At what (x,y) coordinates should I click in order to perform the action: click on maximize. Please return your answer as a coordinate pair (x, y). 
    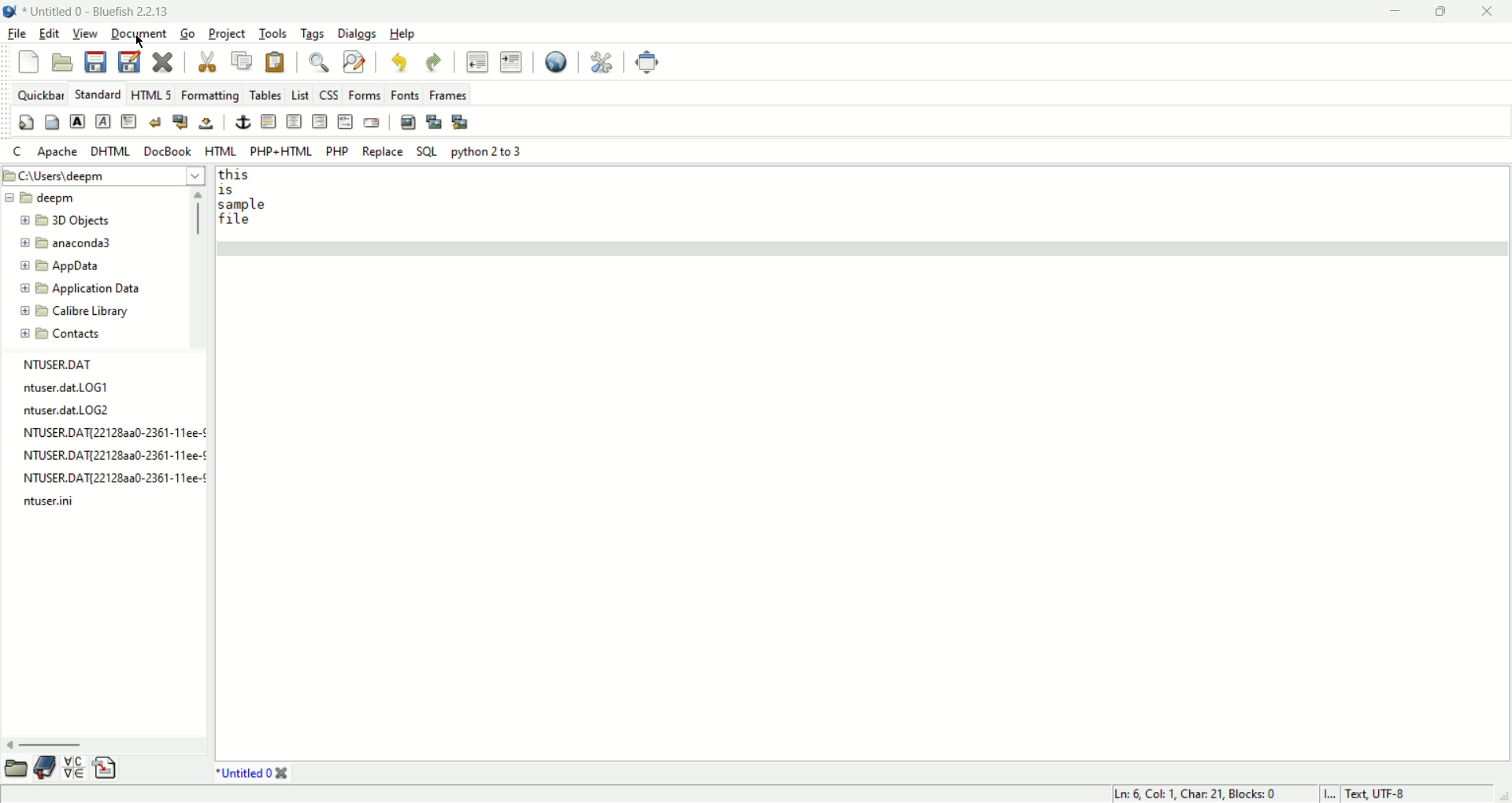
    Looking at the image, I should click on (1440, 12).